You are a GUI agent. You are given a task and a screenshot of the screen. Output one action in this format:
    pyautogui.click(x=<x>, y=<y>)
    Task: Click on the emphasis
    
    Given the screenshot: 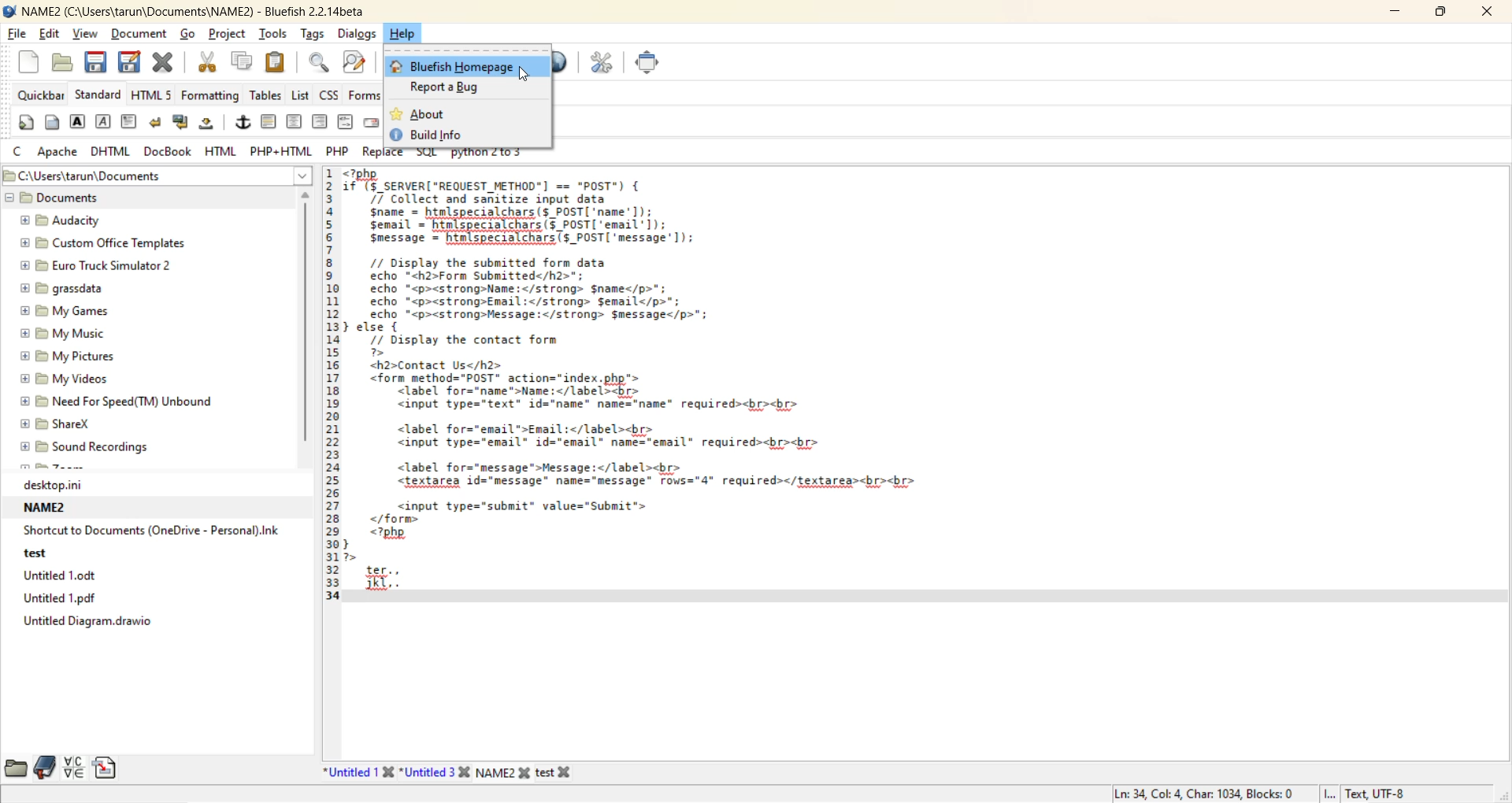 What is the action you would take?
    pyautogui.click(x=106, y=122)
    